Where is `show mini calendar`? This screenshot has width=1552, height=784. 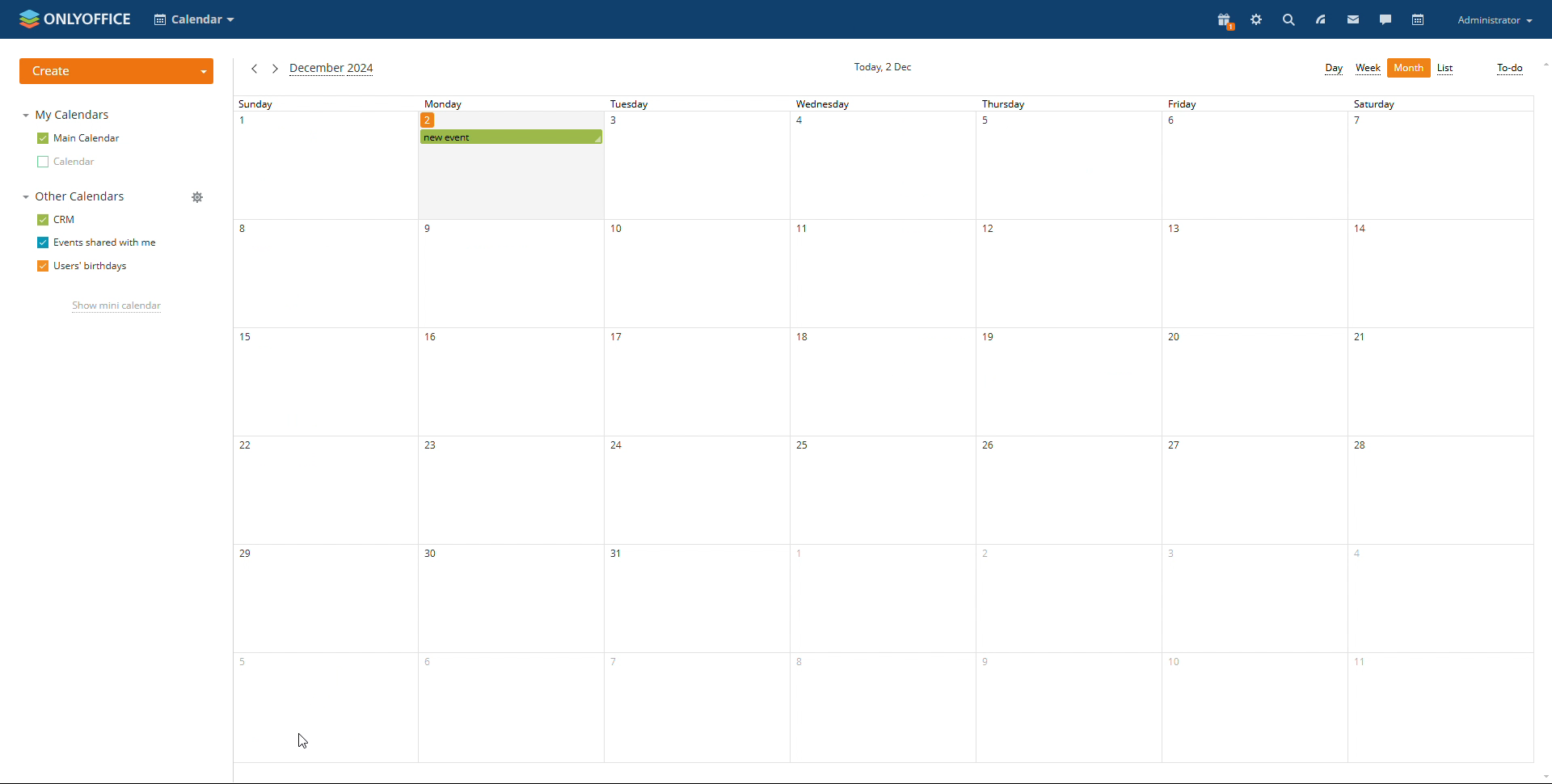 show mini calendar is located at coordinates (116, 306).